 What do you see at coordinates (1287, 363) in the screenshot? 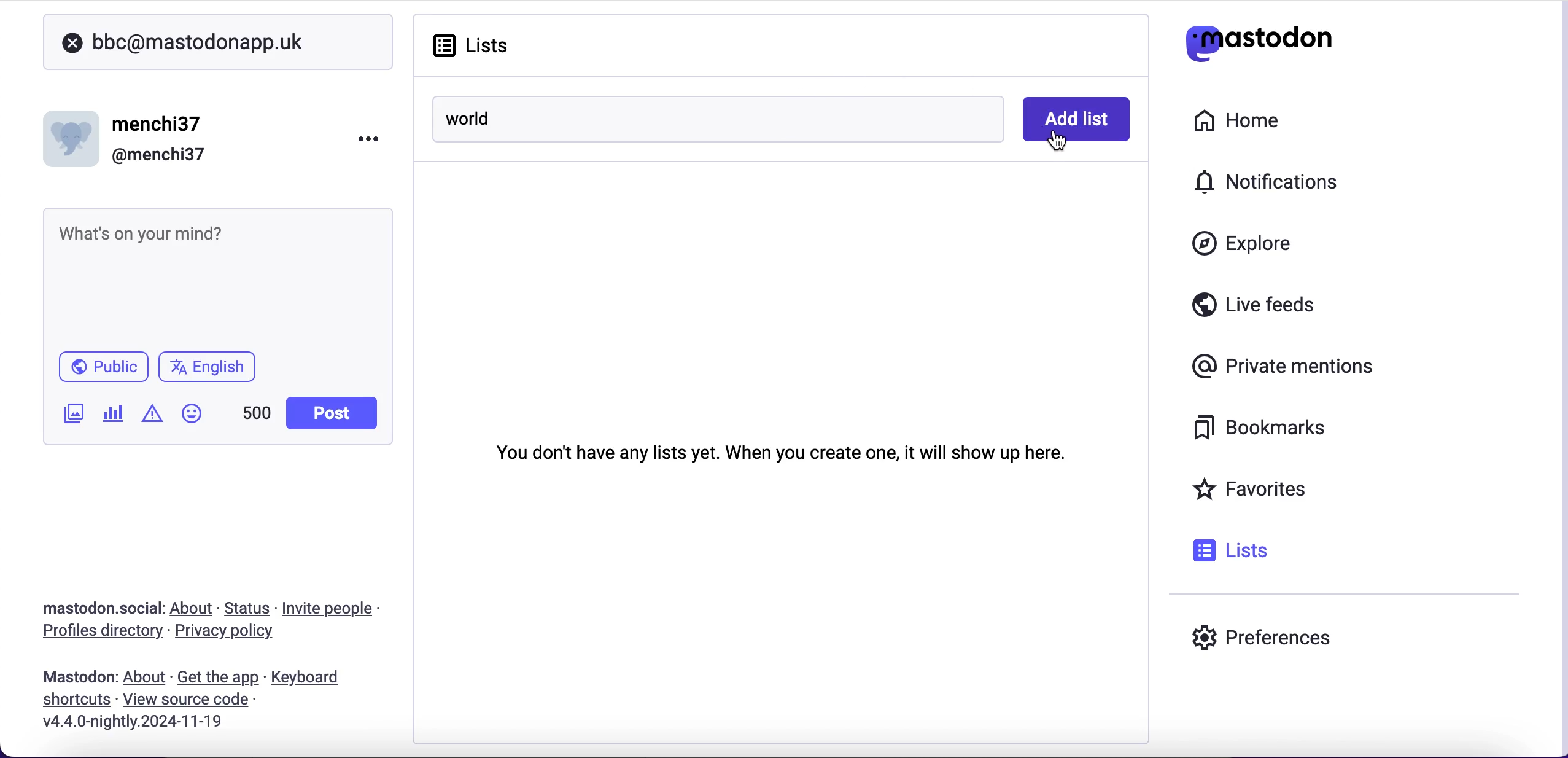
I see `private mentions` at bounding box center [1287, 363].